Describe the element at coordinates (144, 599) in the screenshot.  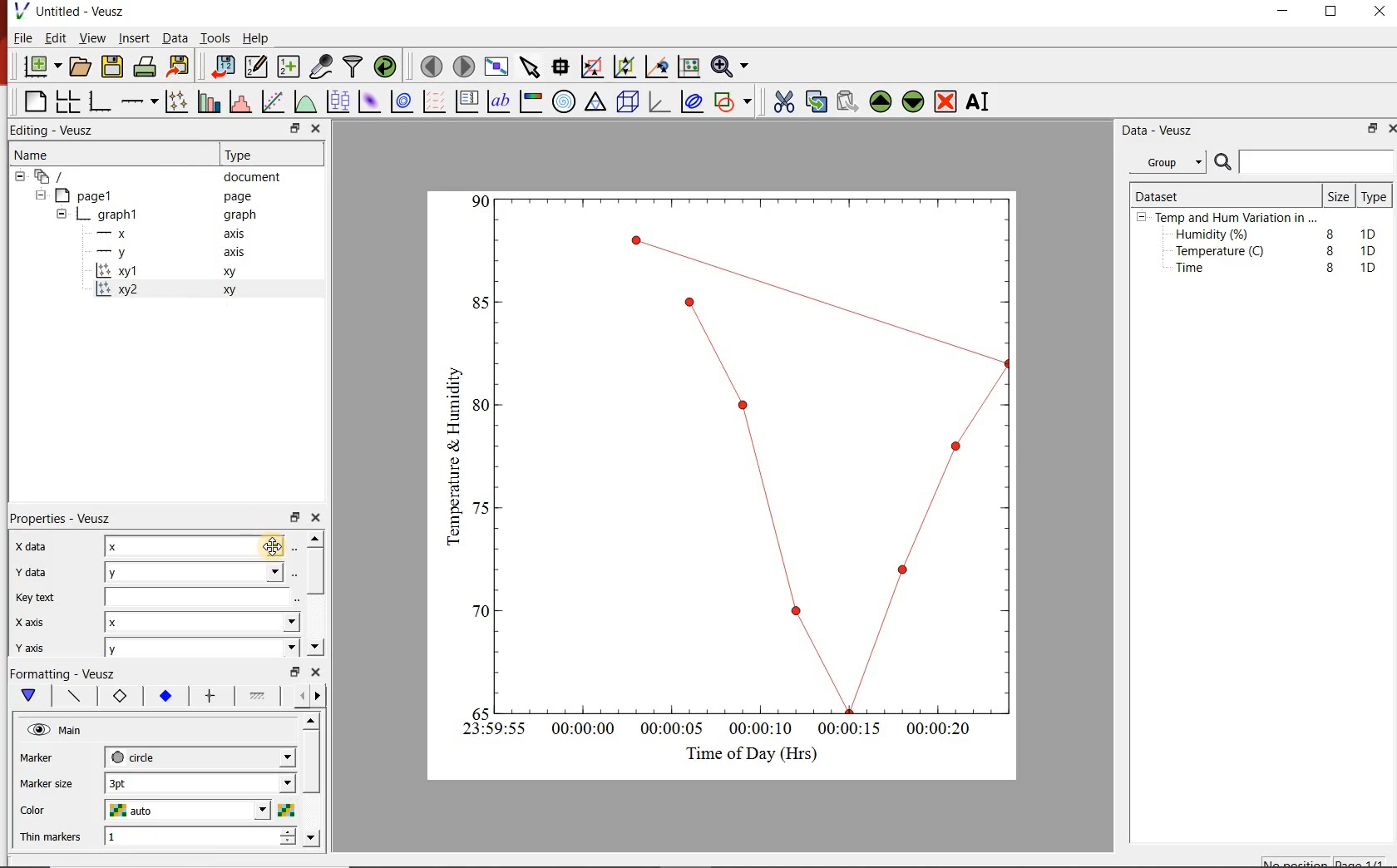
I see `Key text` at that location.